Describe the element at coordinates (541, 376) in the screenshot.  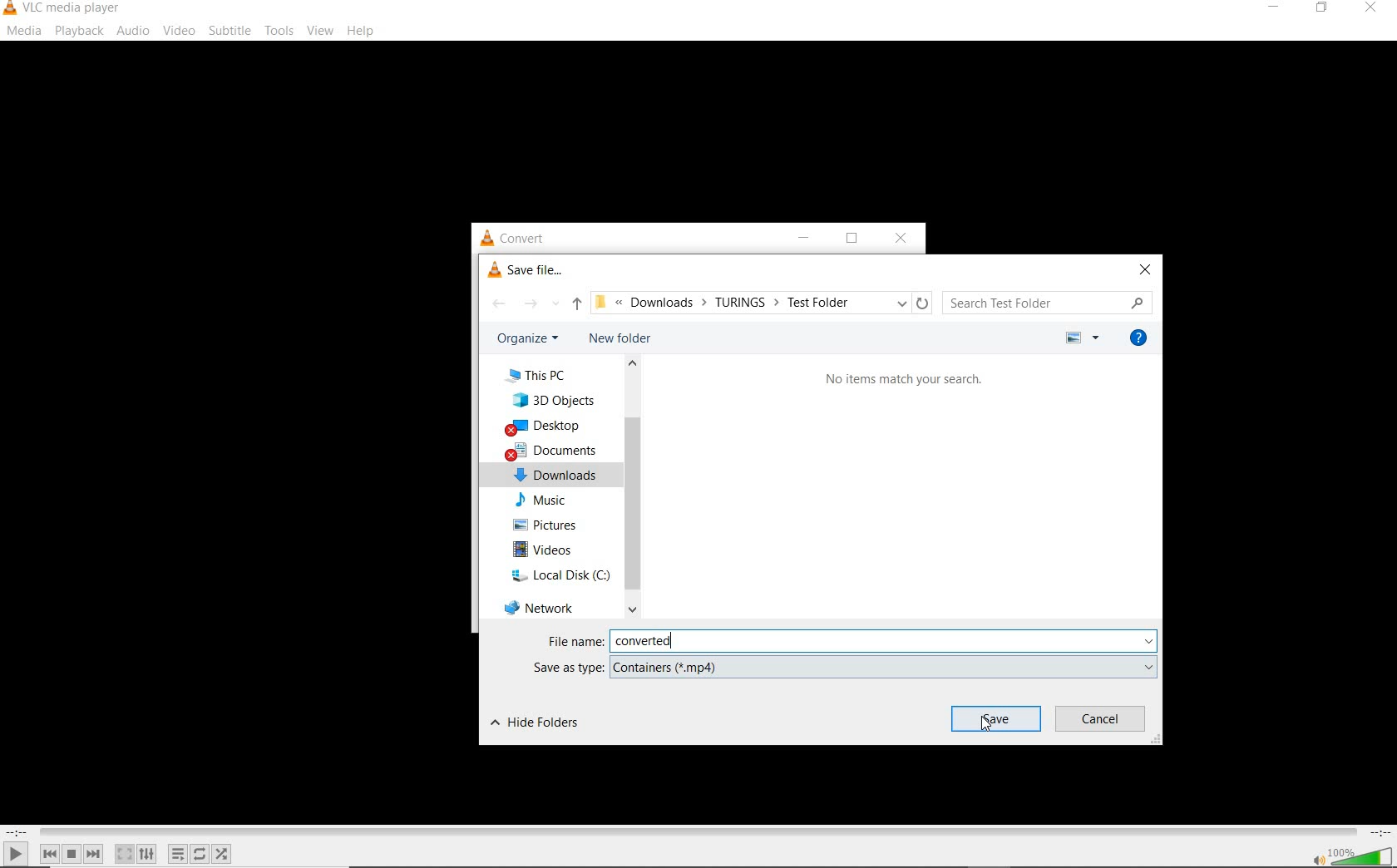
I see `This PC` at that location.